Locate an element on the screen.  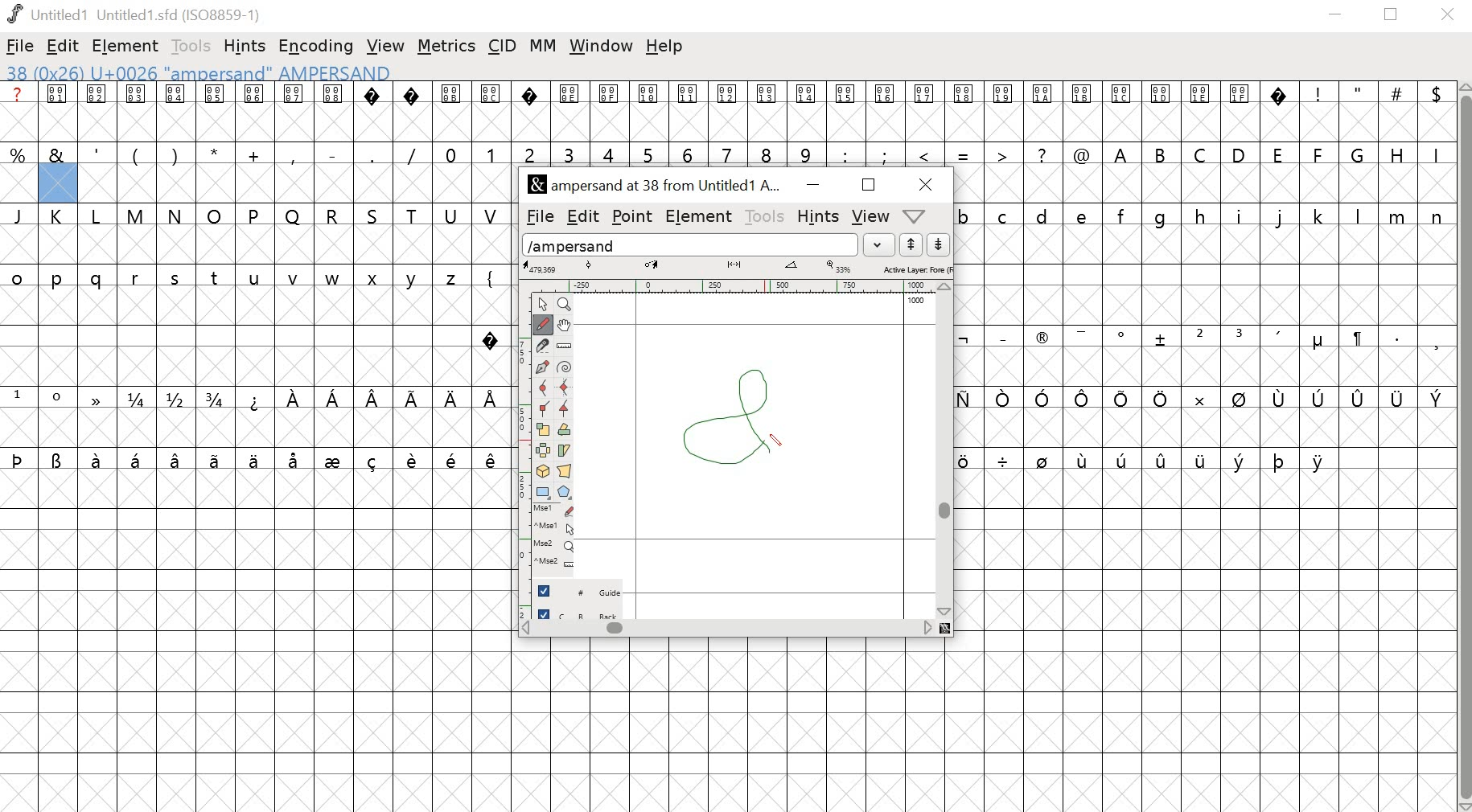
symbol is located at coordinates (335, 459).